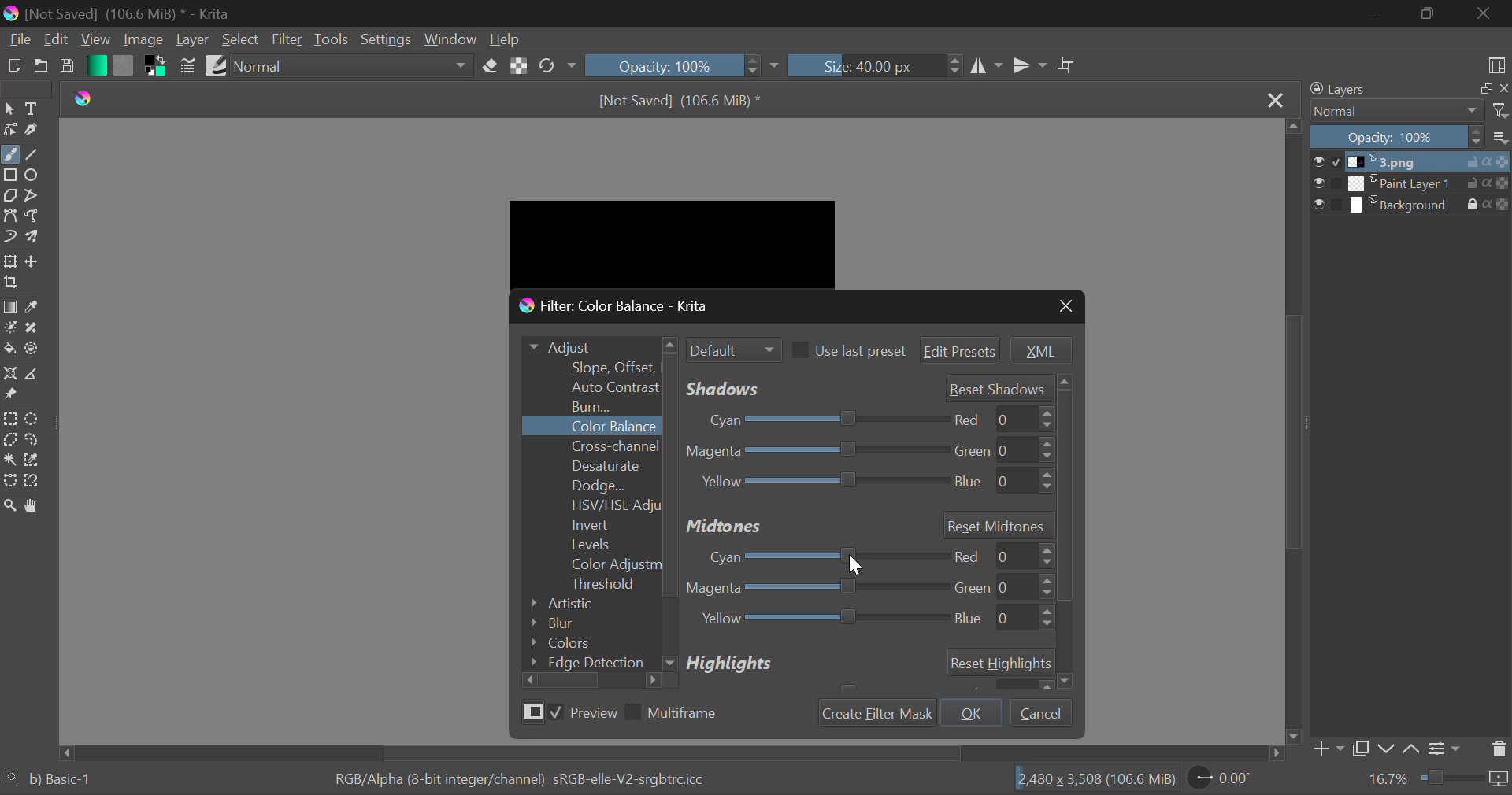 The image size is (1512, 795). Describe the element at coordinates (10, 505) in the screenshot. I see `Zoom` at that location.